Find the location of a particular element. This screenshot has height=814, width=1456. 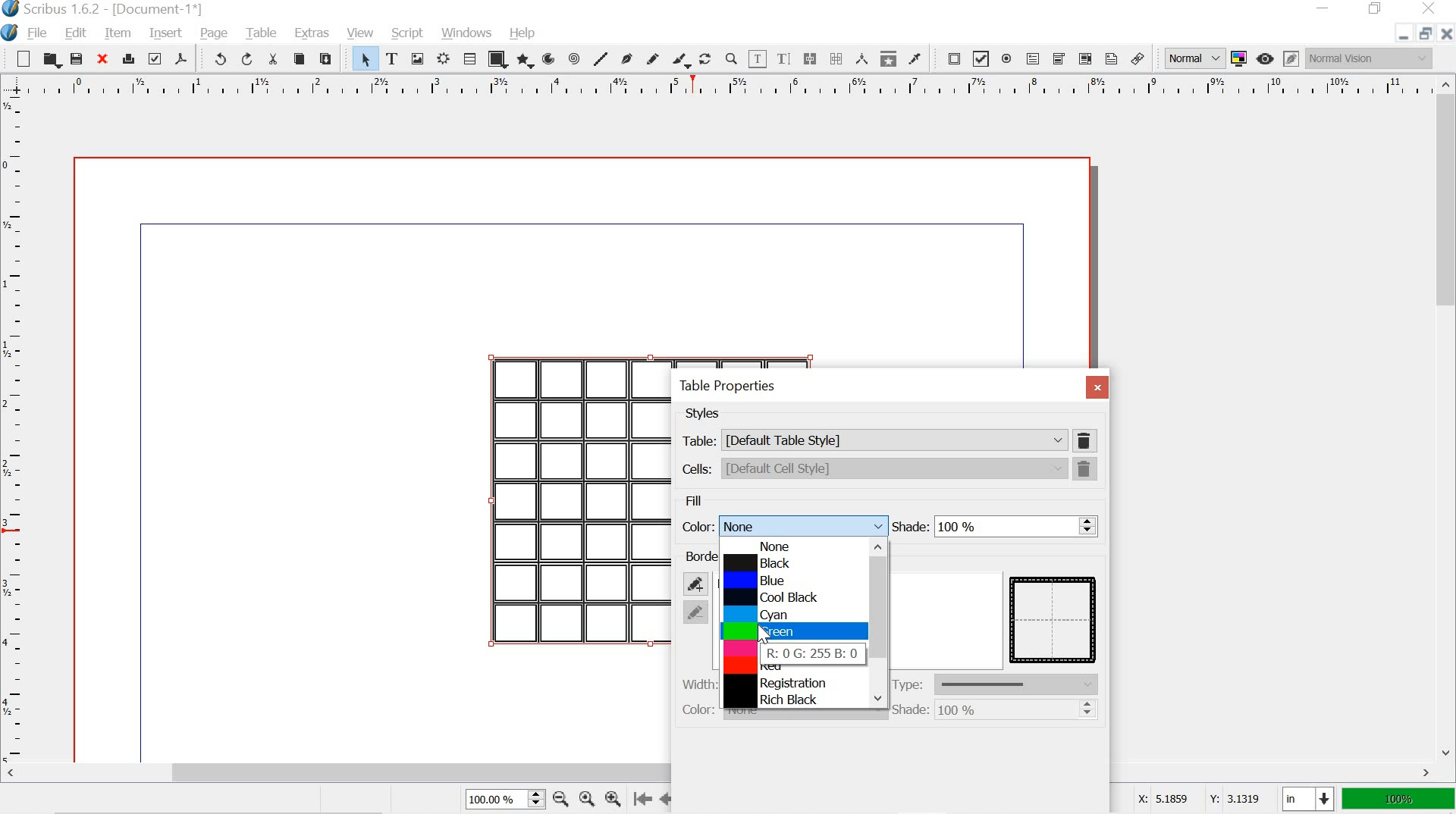

rotate item is located at coordinates (704, 59).